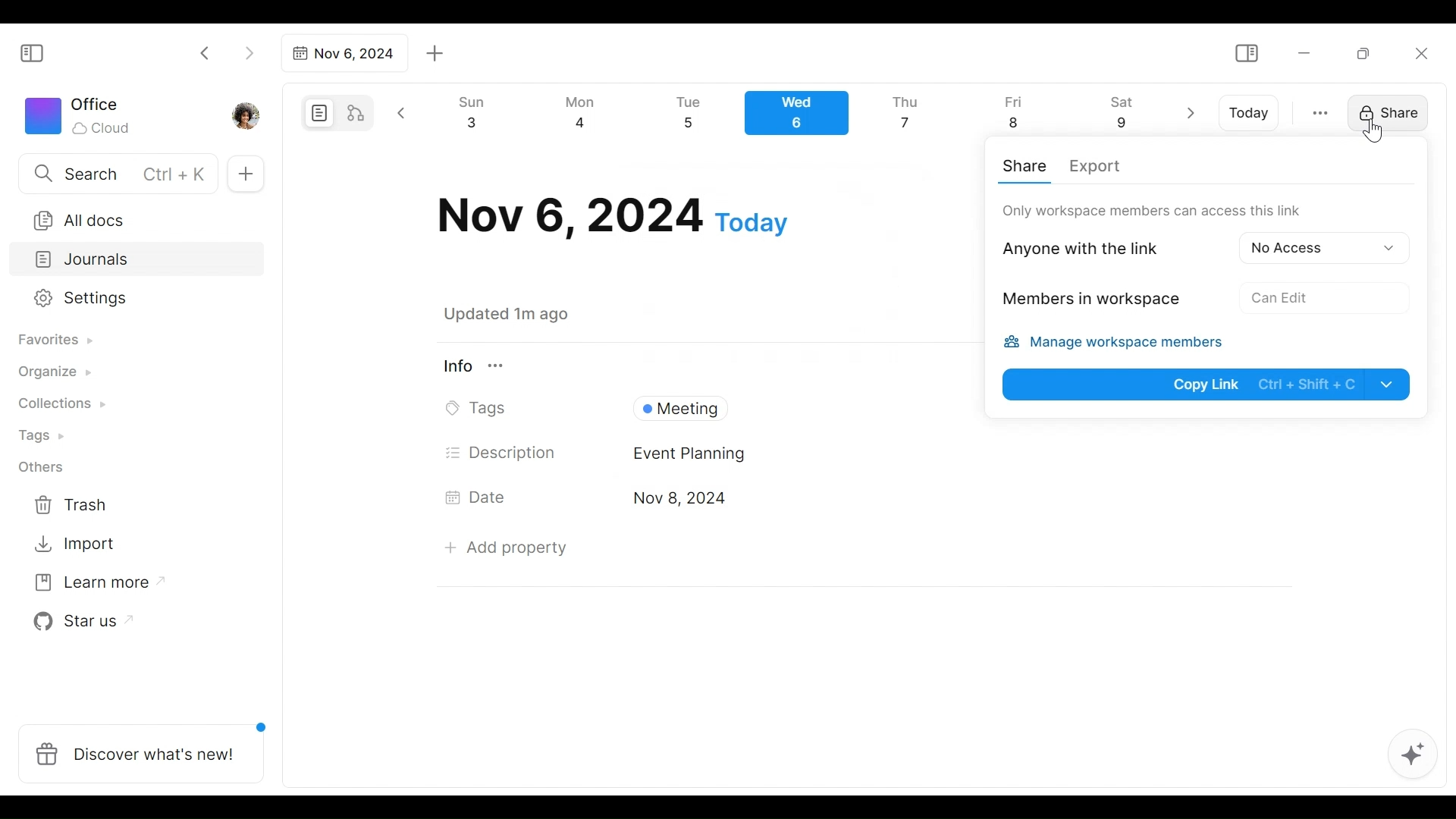  I want to click on Journals, so click(138, 261).